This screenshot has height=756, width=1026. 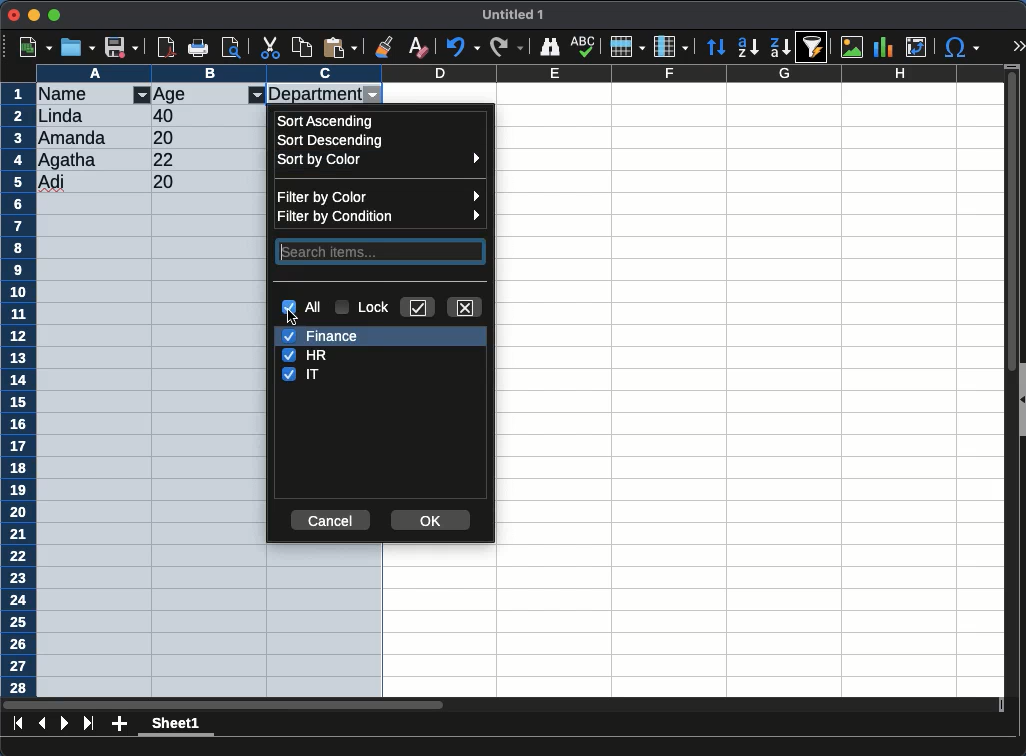 I want to click on 40, so click(x=164, y=116).